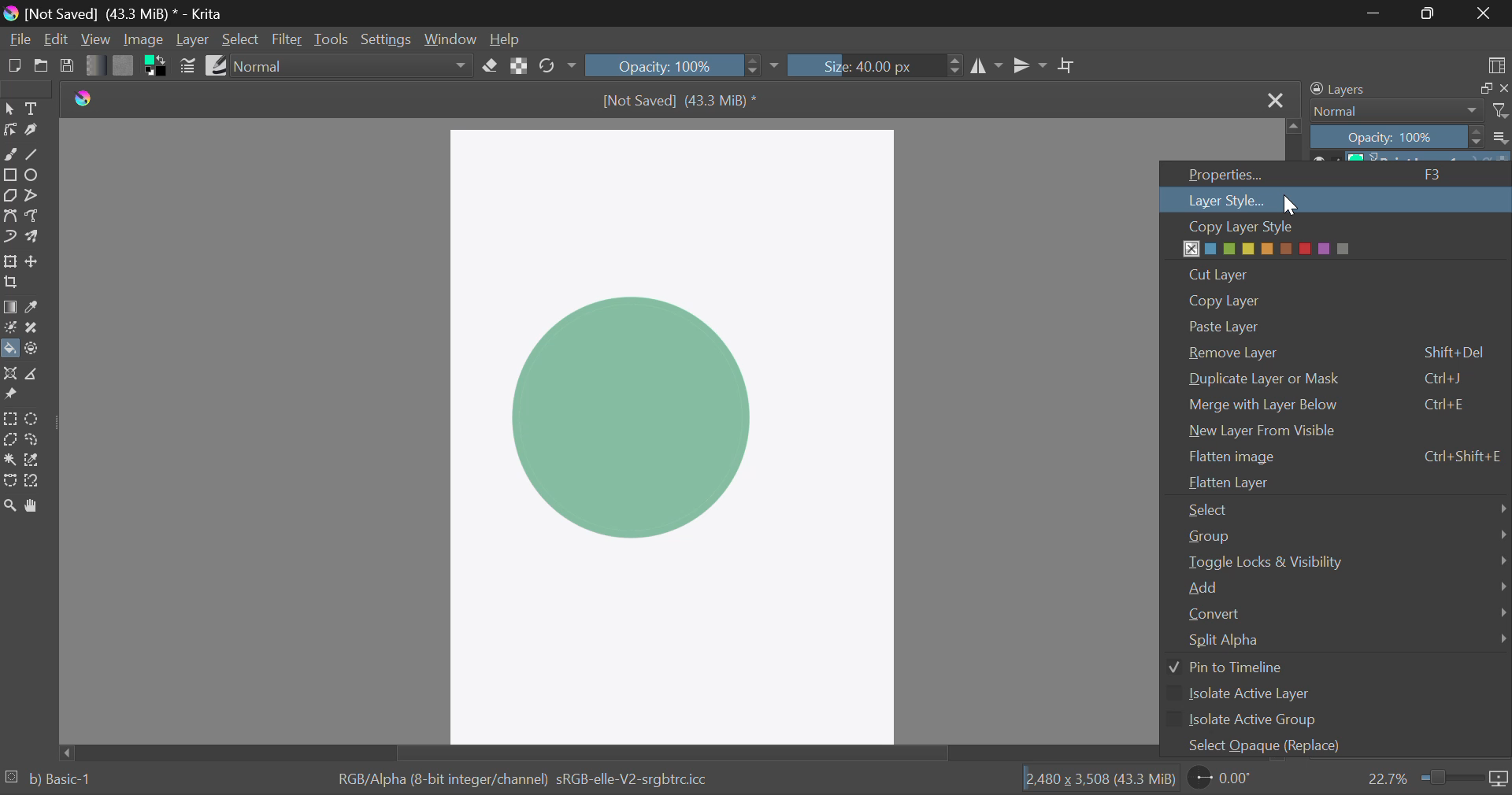 The image size is (1512, 795). What do you see at coordinates (1246, 720) in the screenshot?
I see `Isolate Active Group` at bounding box center [1246, 720].